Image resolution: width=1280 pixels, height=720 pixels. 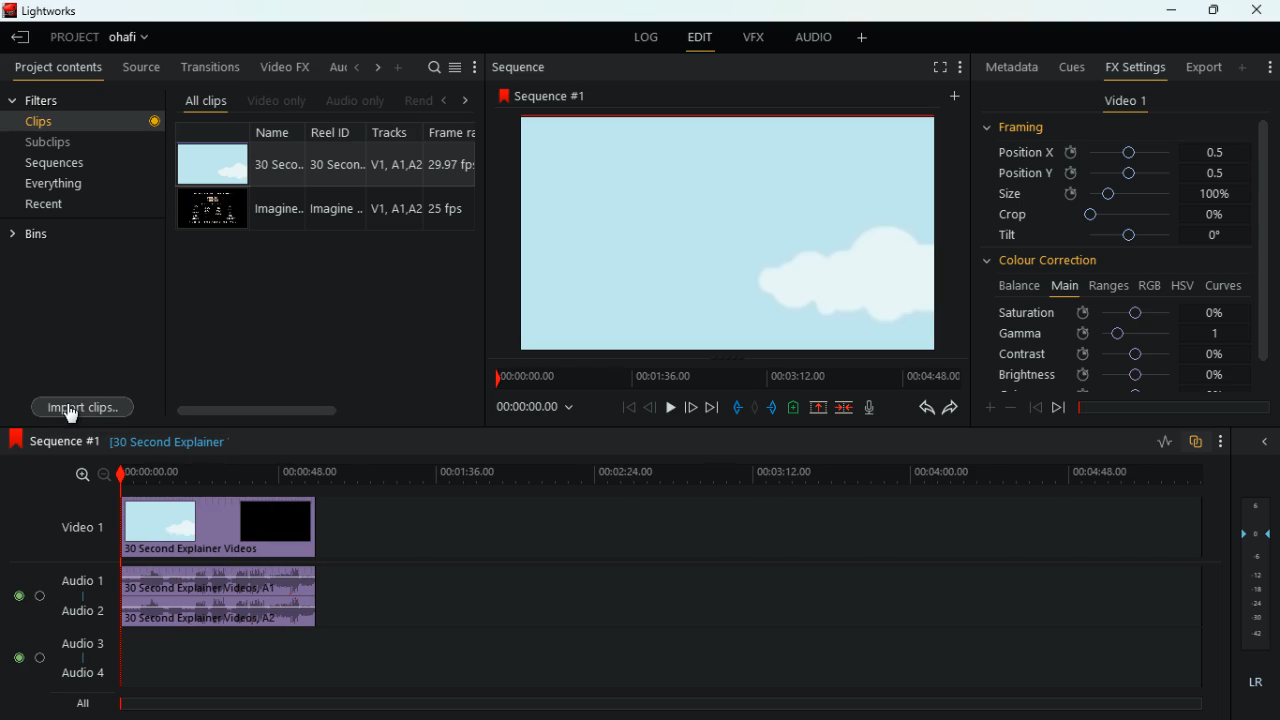 What do you see at coordinates (538, 409) in the screenshot?
I see `time` at bounding box center [538, 409].